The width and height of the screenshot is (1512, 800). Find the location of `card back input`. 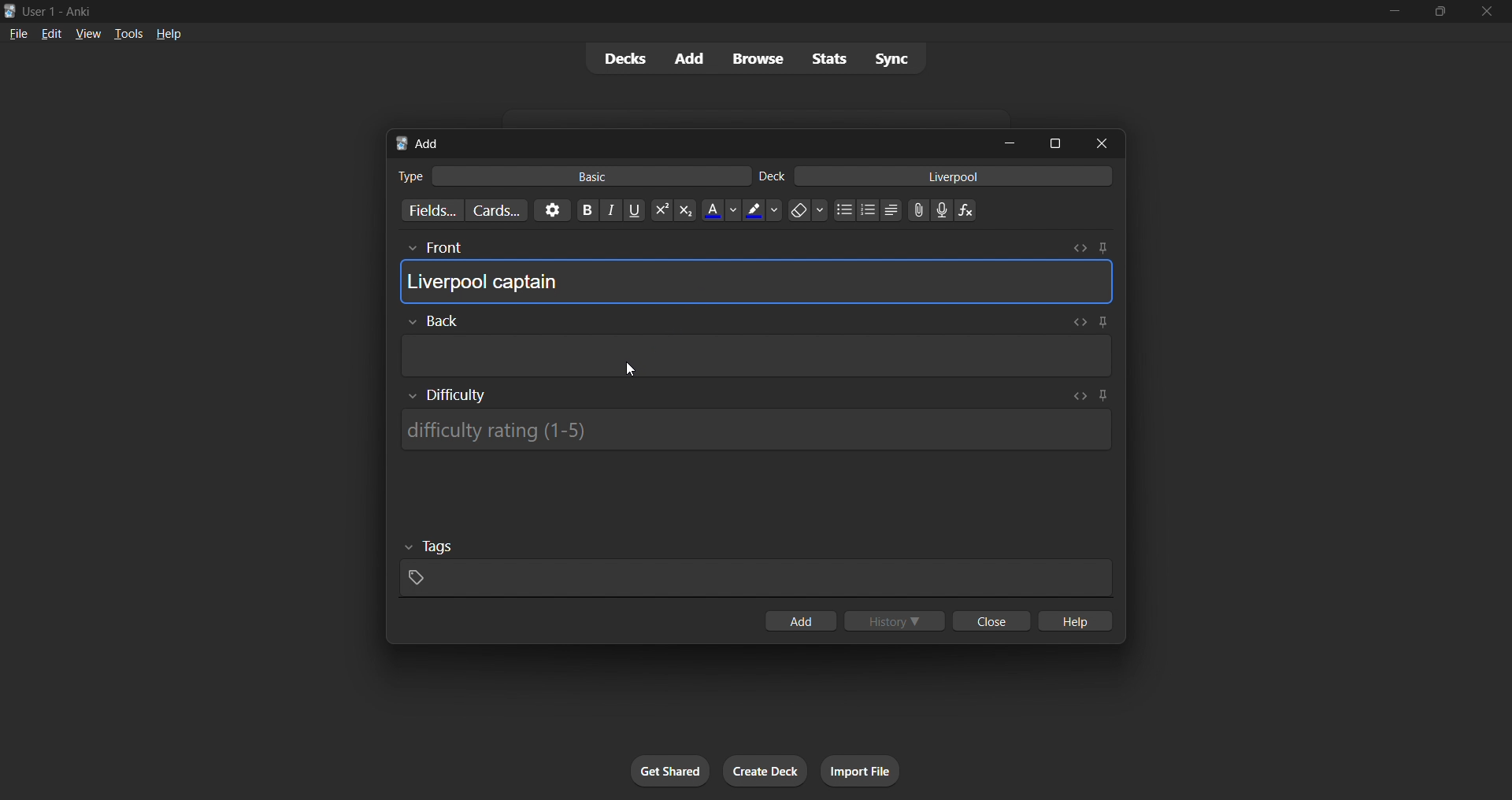

card back input is located at coordinates (758, 356).